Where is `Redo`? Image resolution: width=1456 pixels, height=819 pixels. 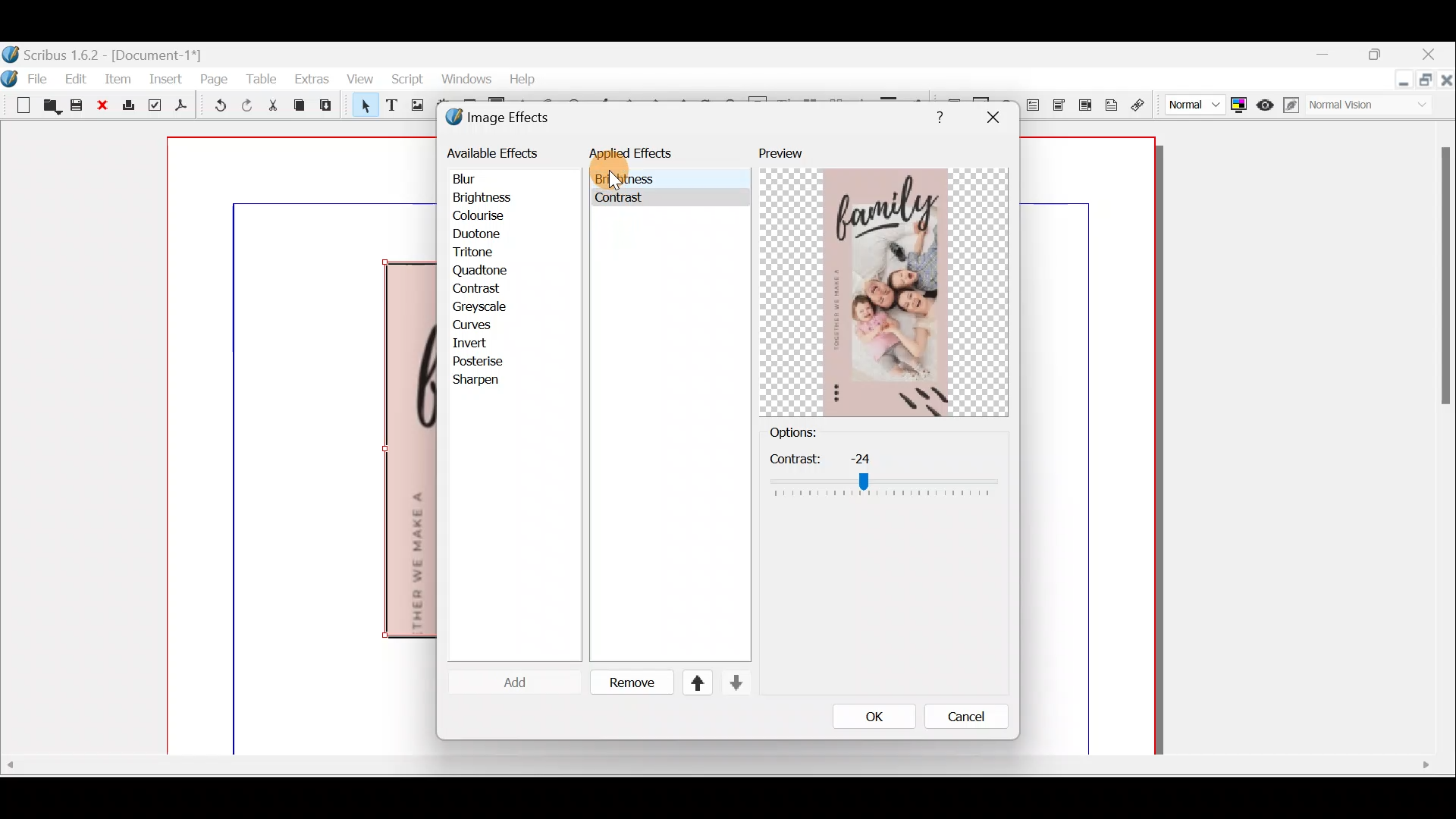 Redo is located at coordinates (246, 105).